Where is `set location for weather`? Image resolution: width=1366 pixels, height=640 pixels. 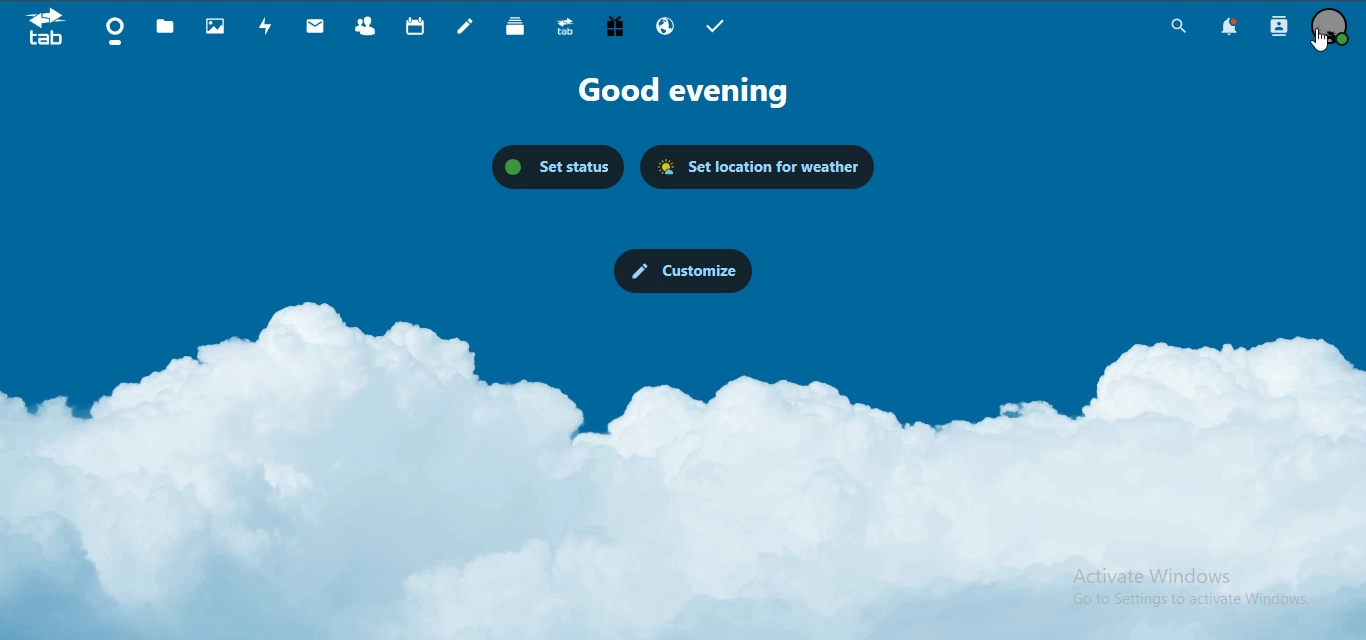
set location for weather is located at coordinates (756, 169).